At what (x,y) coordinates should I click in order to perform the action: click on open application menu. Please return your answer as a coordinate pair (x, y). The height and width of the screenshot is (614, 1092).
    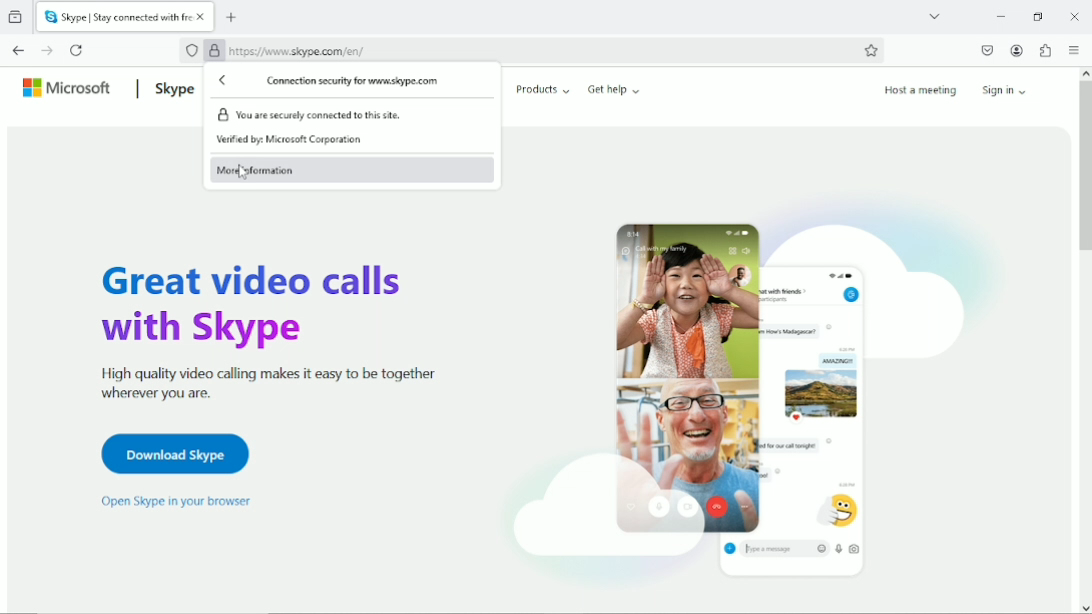
    Looking at the image, I should click on (1073, 51).